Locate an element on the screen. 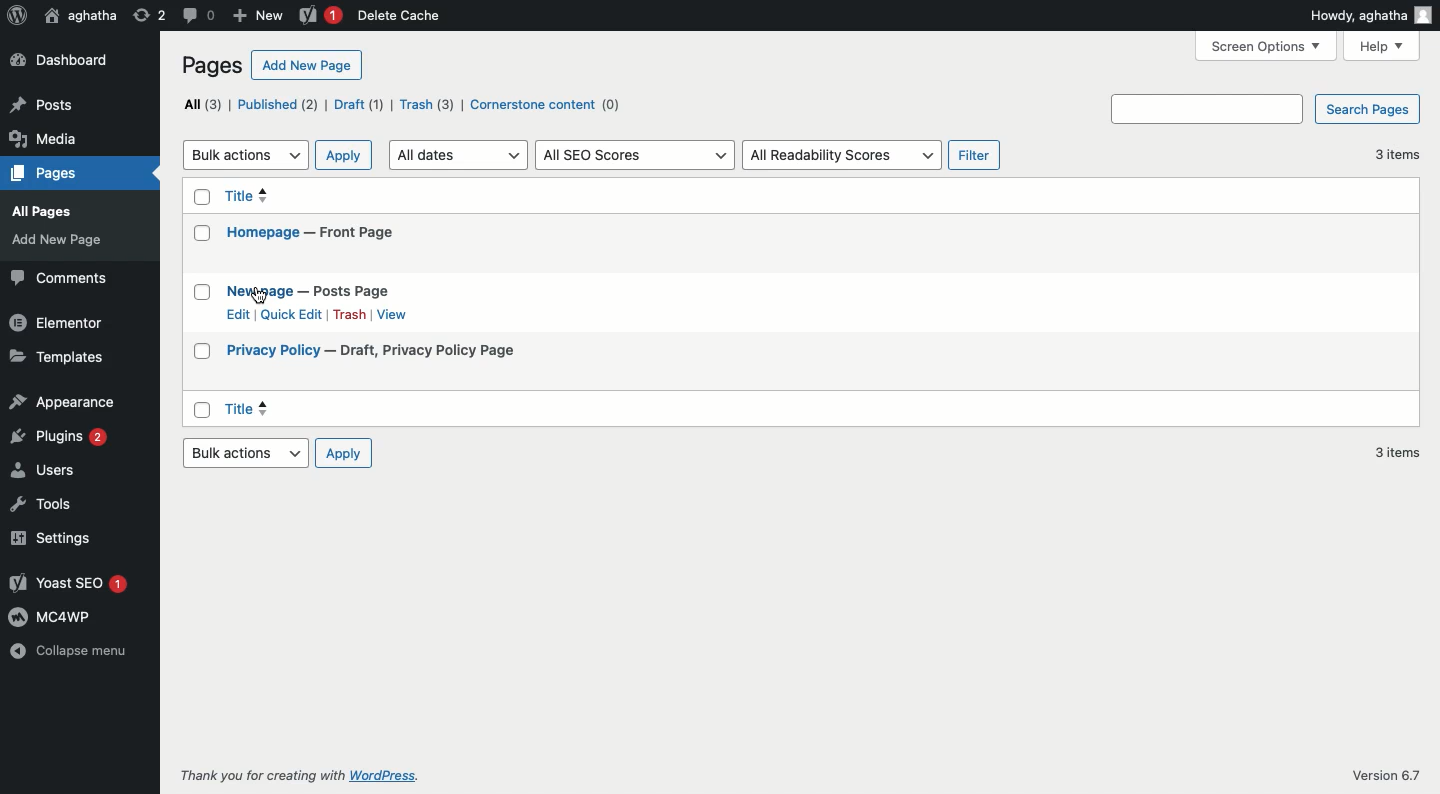 The image size is (1440, 794). Yoast is located at coordinates (66, 583).